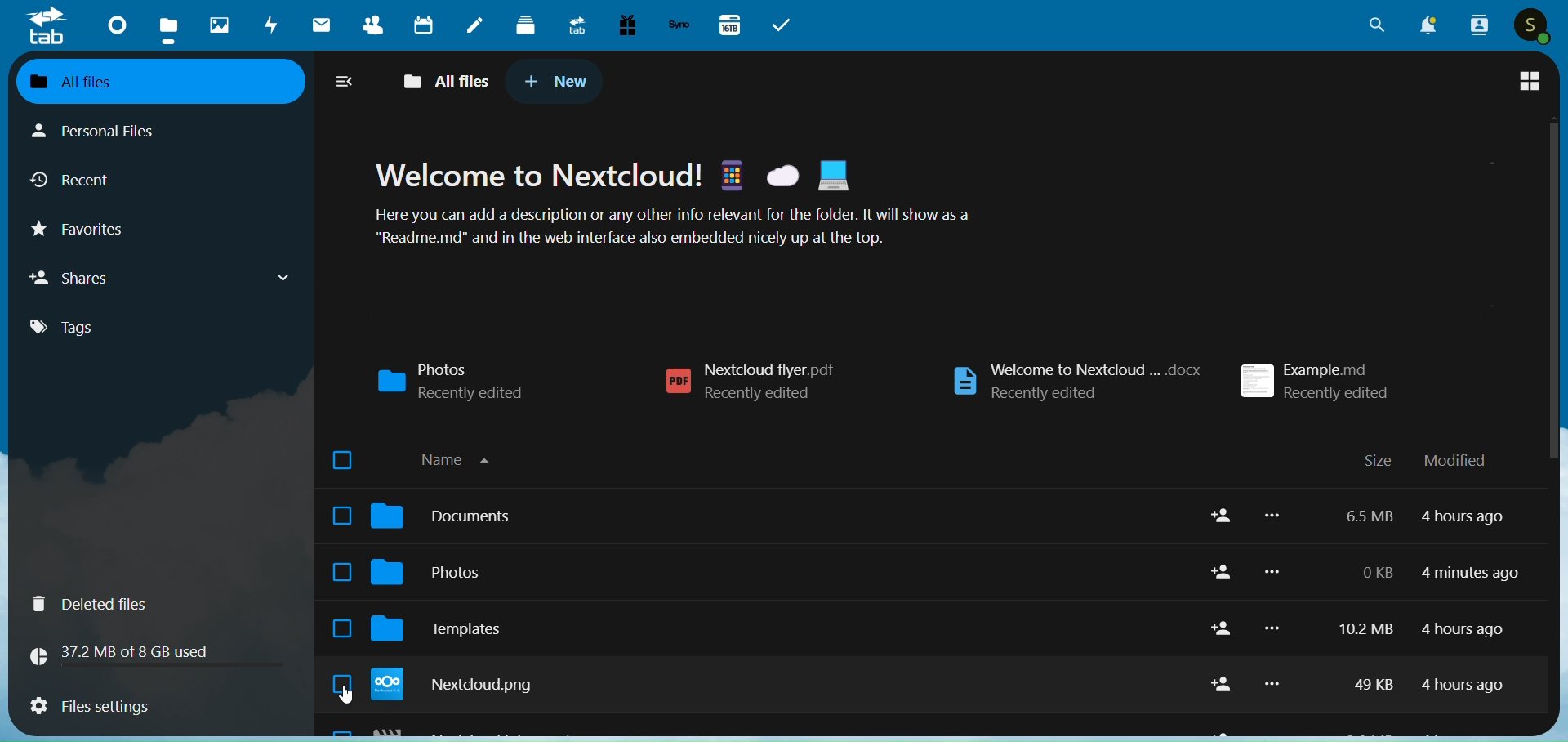 The height and width of the screenshot is (742, 1568). What do you see at coordinates (342, 628) in the screenshot?
I see `Click to select` at bounding box center [342, 628].